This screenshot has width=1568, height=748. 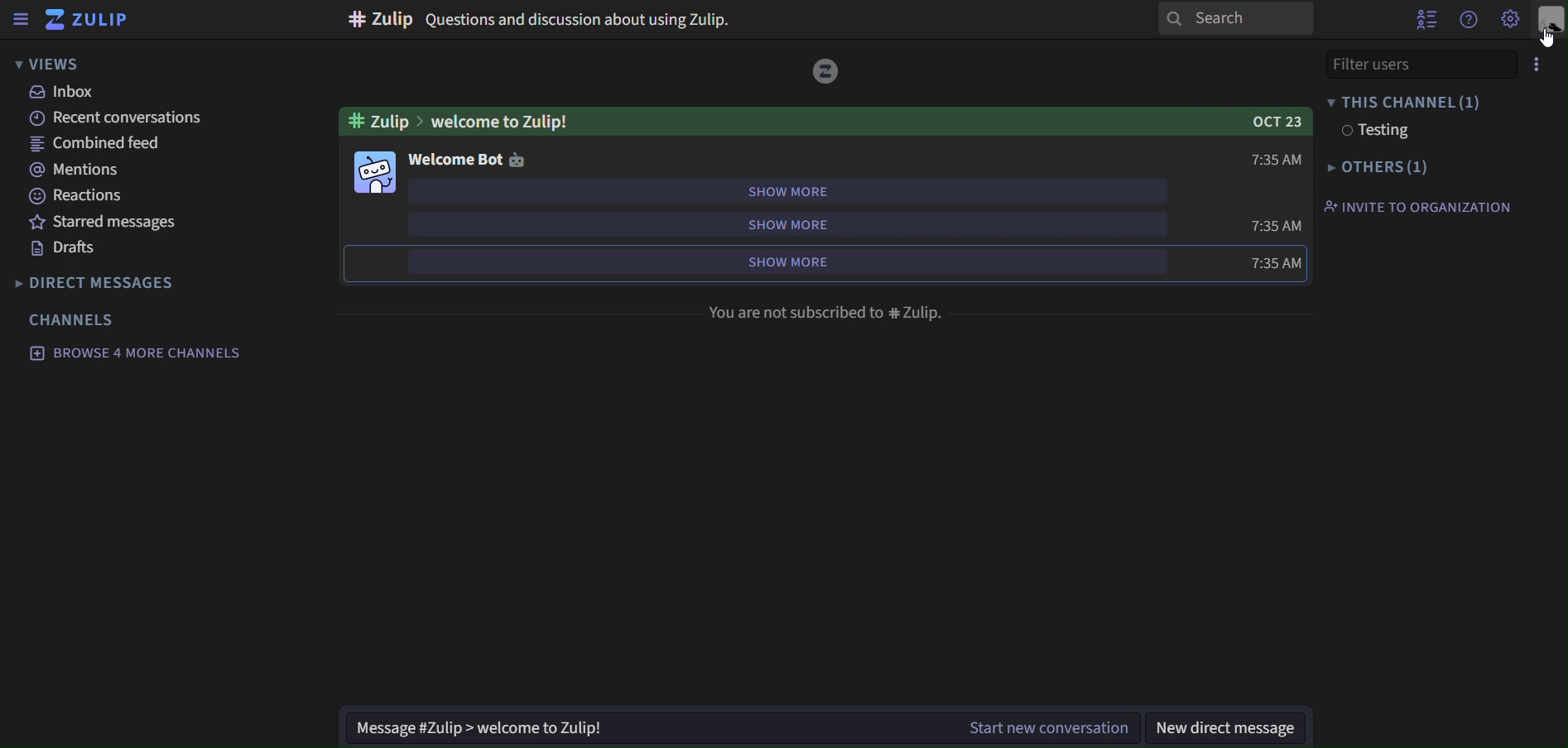 I want to click on drafts, so click(x=68, y=251).